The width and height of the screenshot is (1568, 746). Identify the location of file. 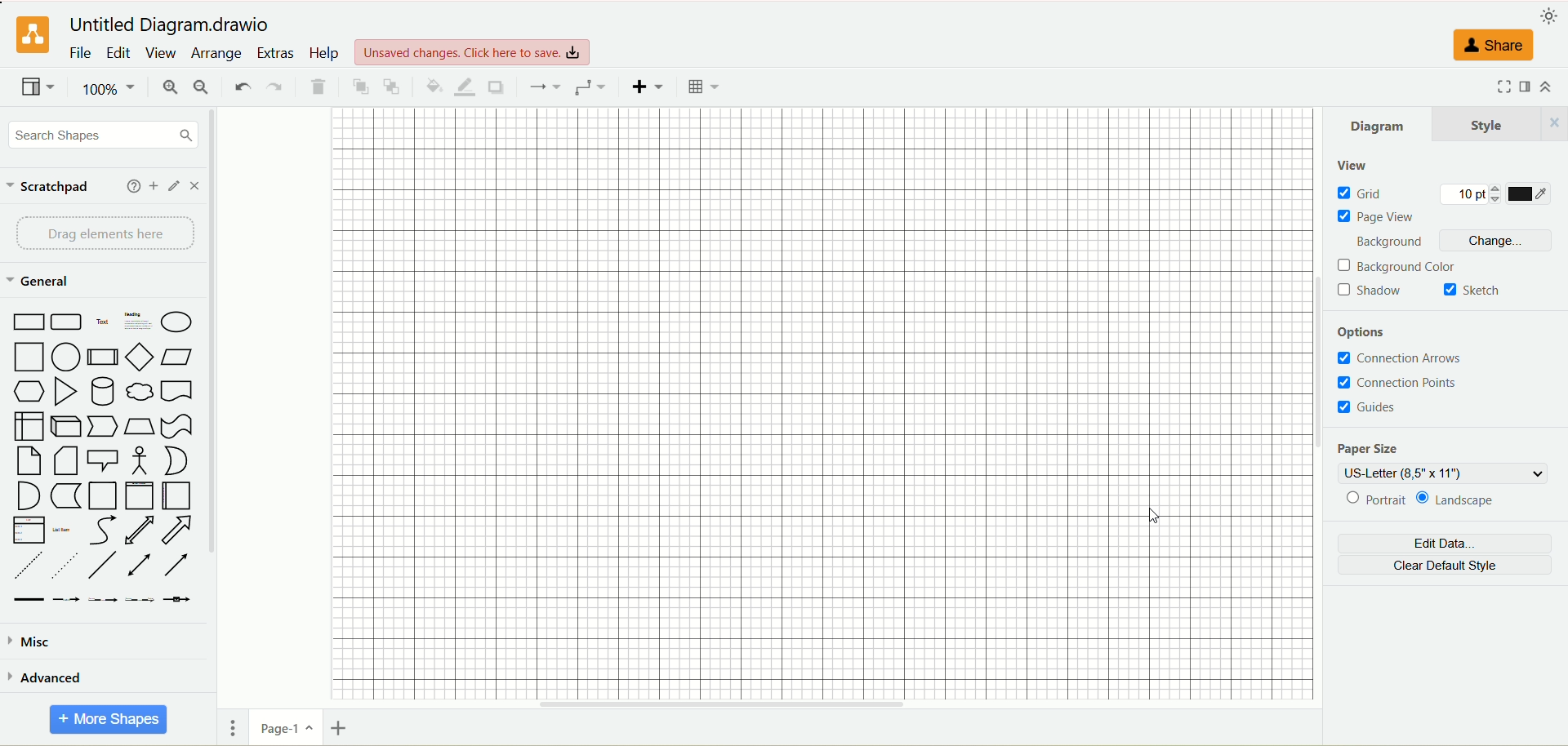
(80, 53).